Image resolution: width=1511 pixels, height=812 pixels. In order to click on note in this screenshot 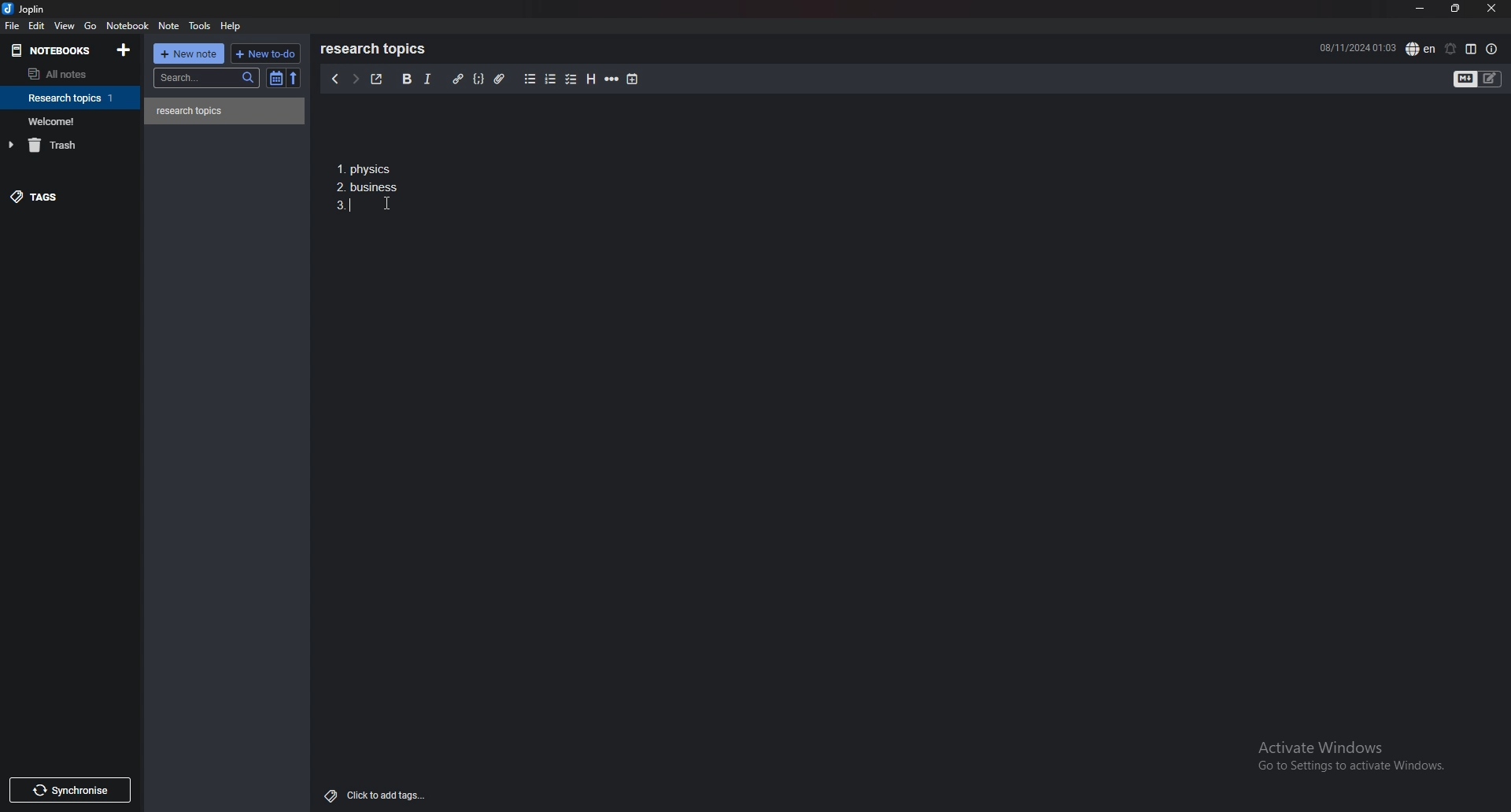, I will do `click(168, 26)`.